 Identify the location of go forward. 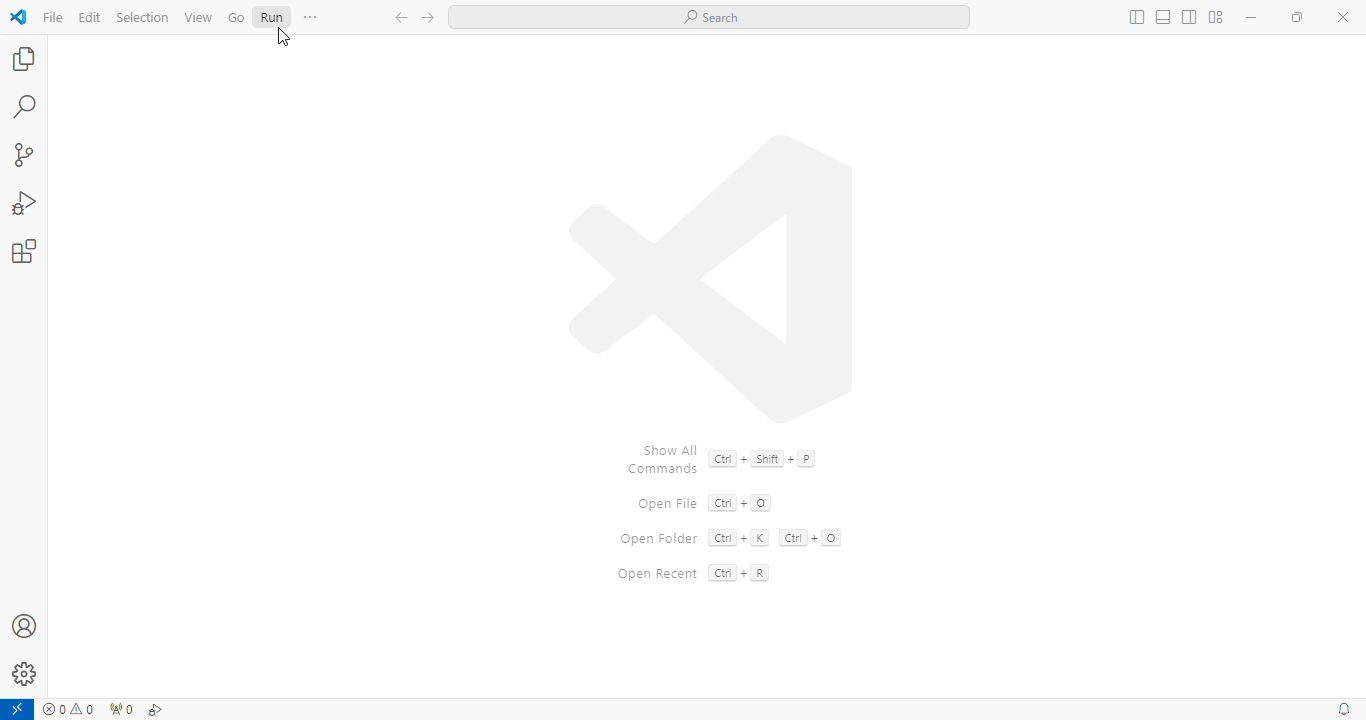
(428, 18).